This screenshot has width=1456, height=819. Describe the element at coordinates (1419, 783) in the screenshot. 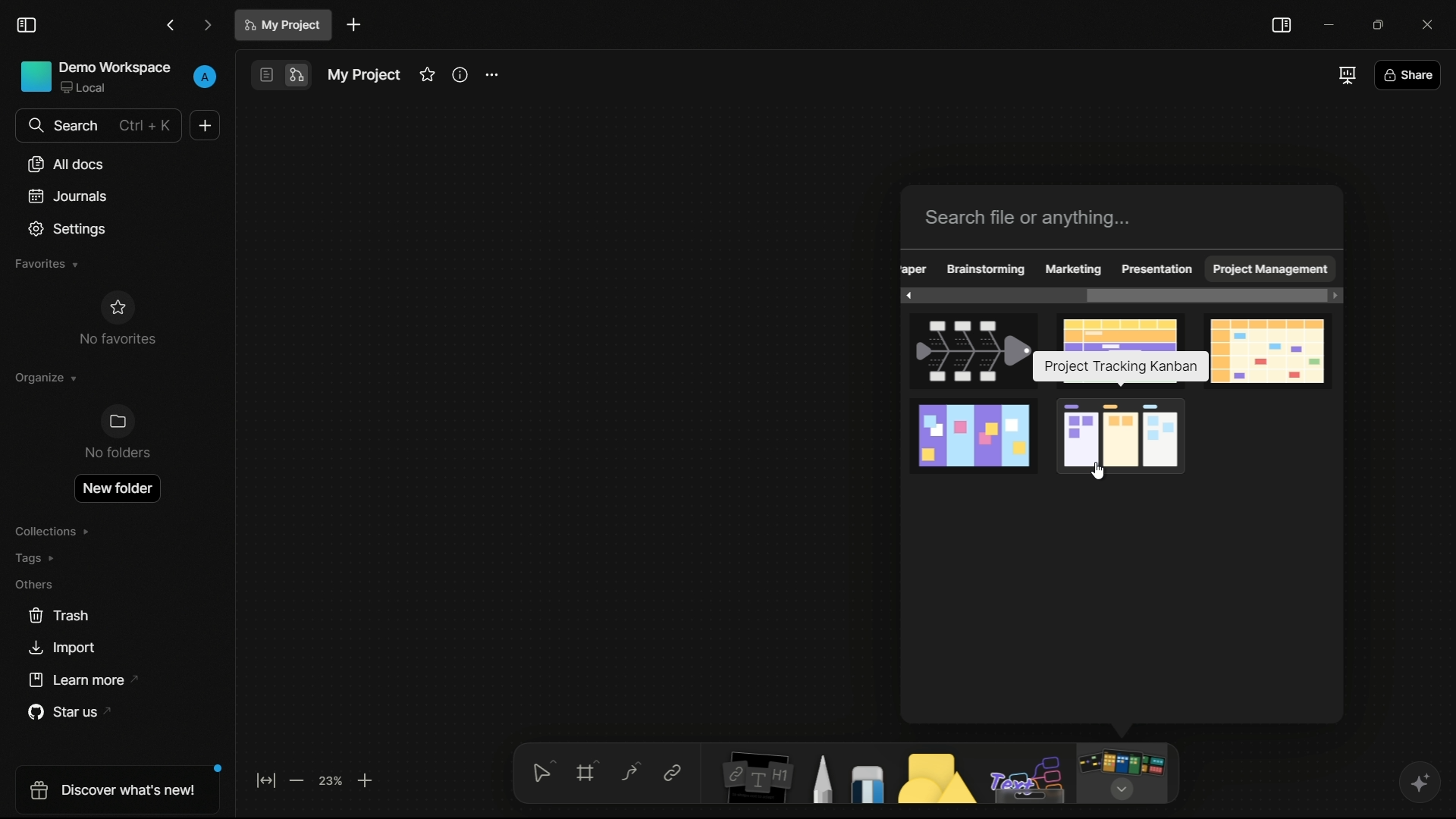

I see `ai assistant` at that location.